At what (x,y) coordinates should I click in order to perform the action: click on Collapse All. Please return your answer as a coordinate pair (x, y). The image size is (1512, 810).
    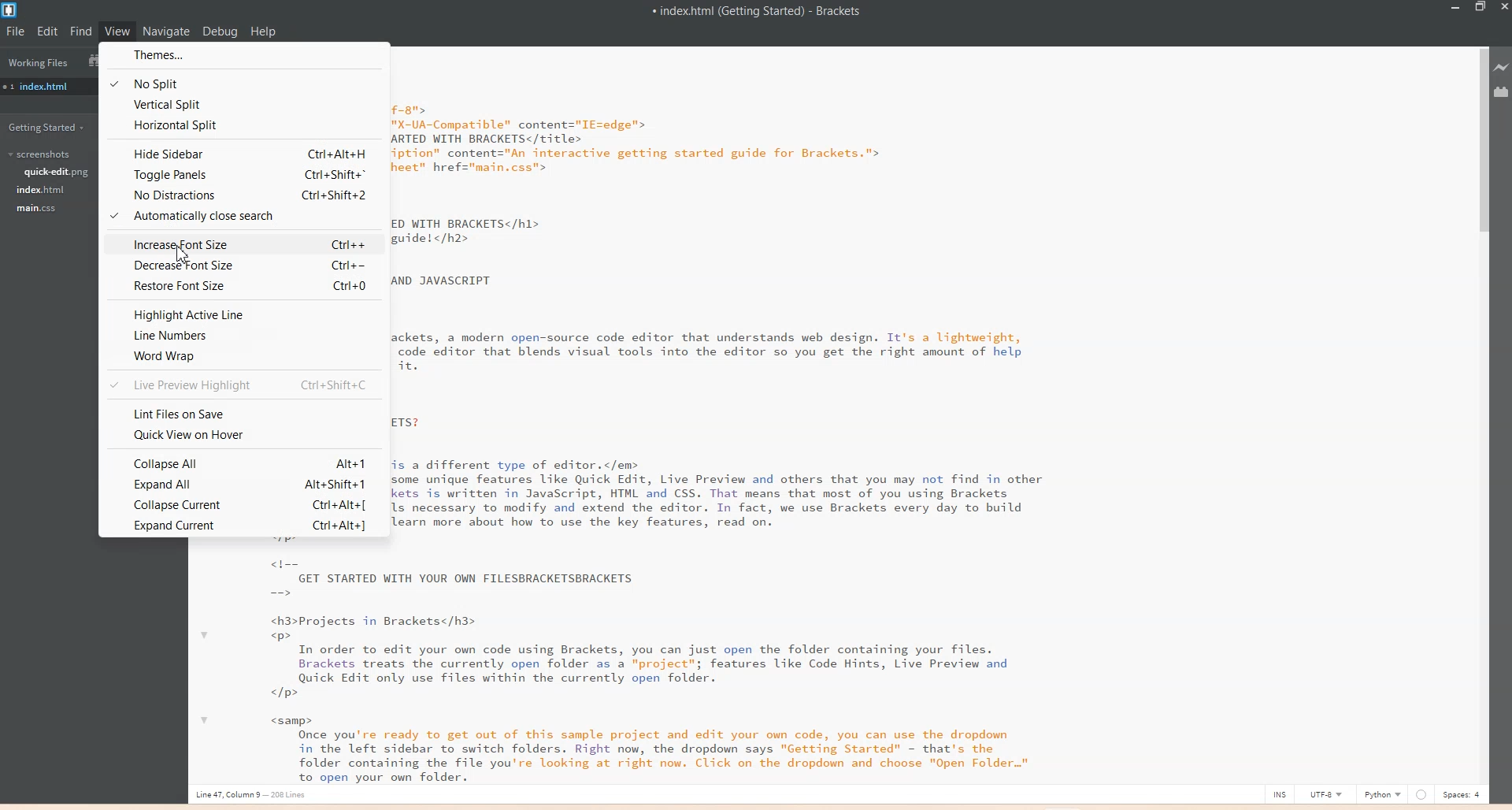
    Looking at the image, I should click on (243, 461).